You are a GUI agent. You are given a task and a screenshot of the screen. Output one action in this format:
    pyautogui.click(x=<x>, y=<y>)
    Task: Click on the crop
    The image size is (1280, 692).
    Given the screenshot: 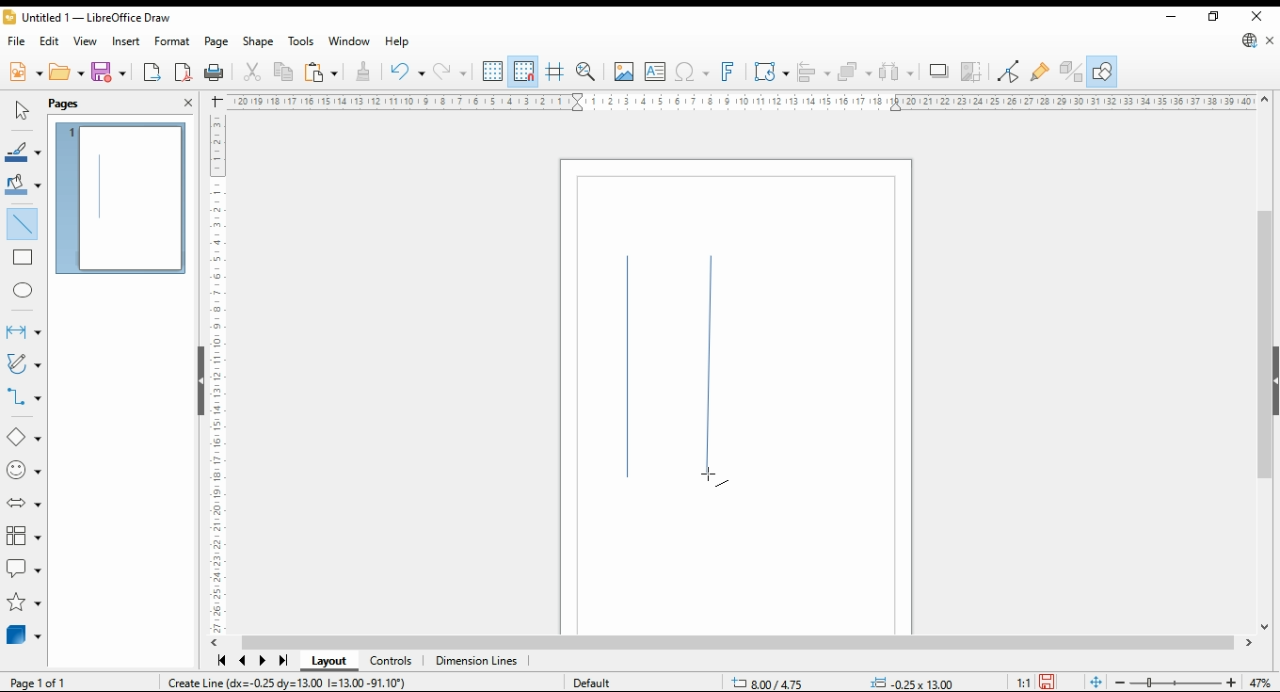 What is the action you would take?
    pyautogui.click(x=972, y=71)
    